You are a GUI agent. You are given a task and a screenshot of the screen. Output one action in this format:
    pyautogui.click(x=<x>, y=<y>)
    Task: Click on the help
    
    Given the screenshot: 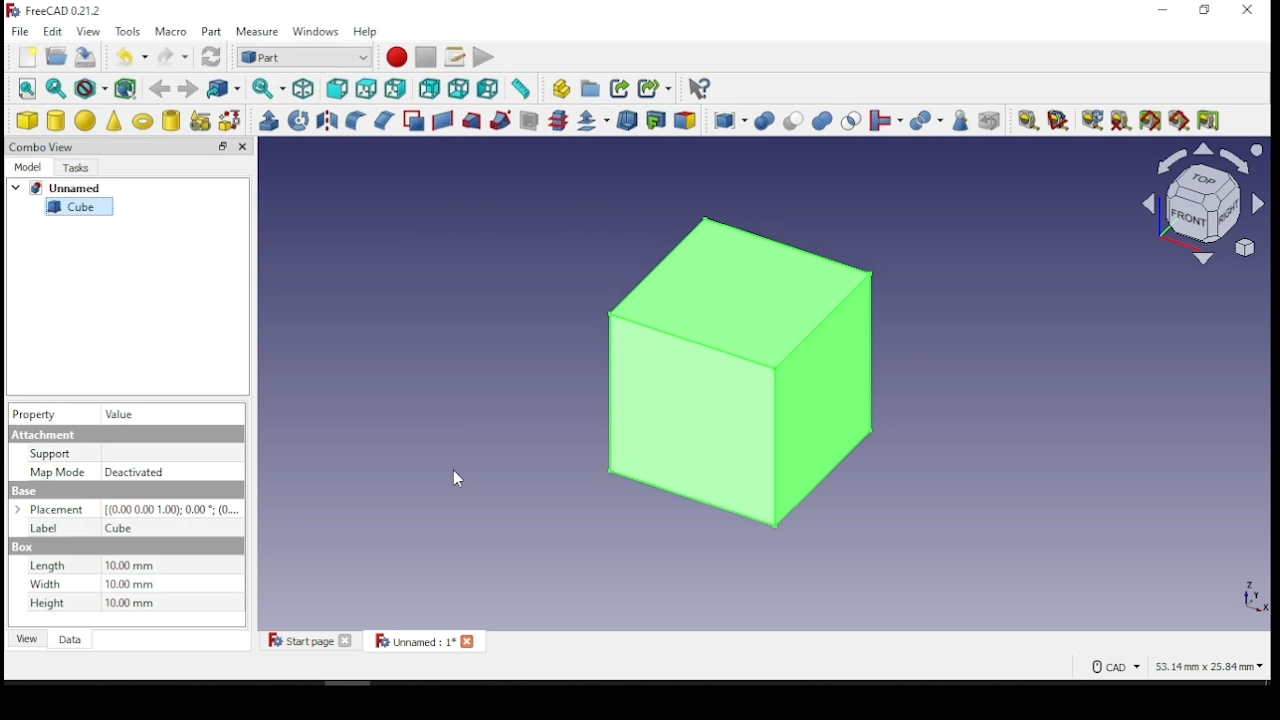 What is the action you would take?
    pyautogui.click(x=366, y=31)
    